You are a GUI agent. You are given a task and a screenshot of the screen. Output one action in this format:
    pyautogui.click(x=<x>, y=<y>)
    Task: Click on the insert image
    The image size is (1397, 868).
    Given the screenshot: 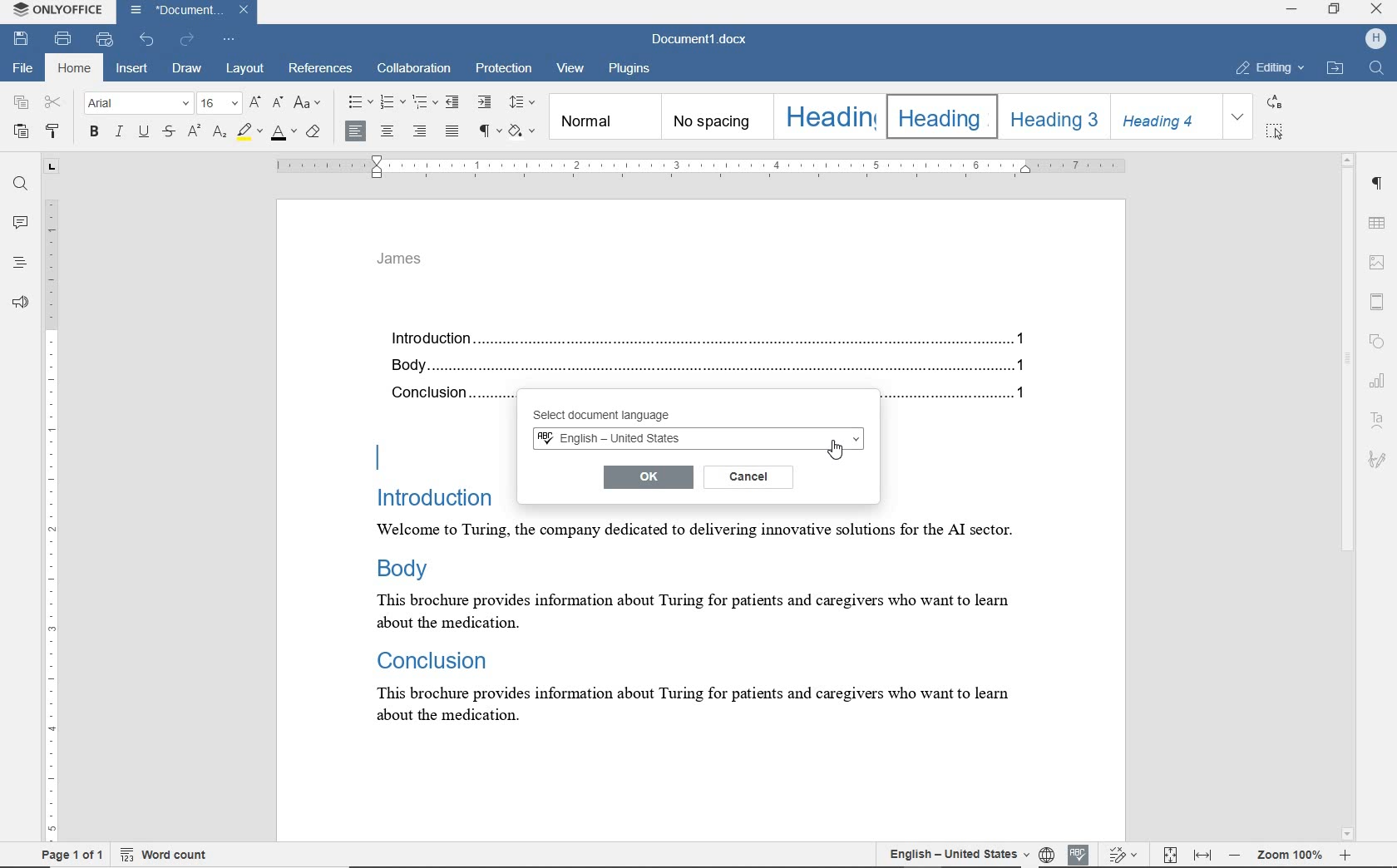 What is the action you would take?
    pyautogui.click(x=1378, y=263)
    